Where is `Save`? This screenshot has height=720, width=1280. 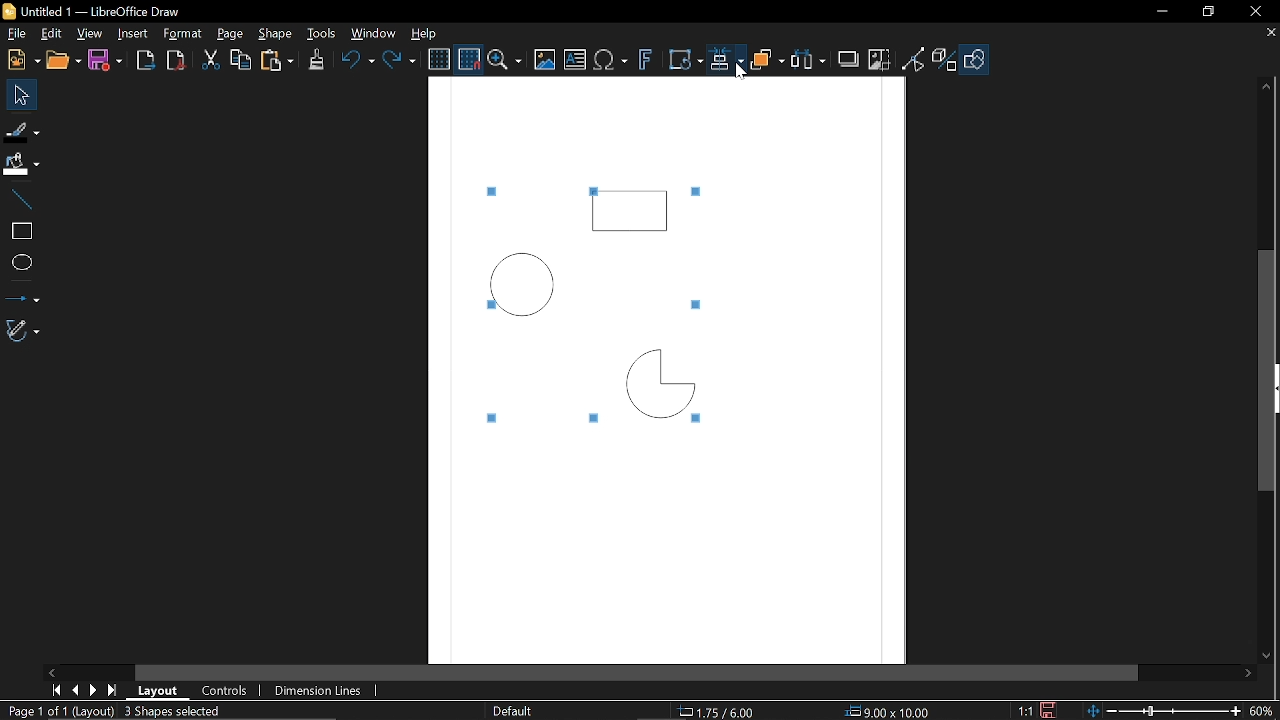 Save is located at coordinates (1046, 709).